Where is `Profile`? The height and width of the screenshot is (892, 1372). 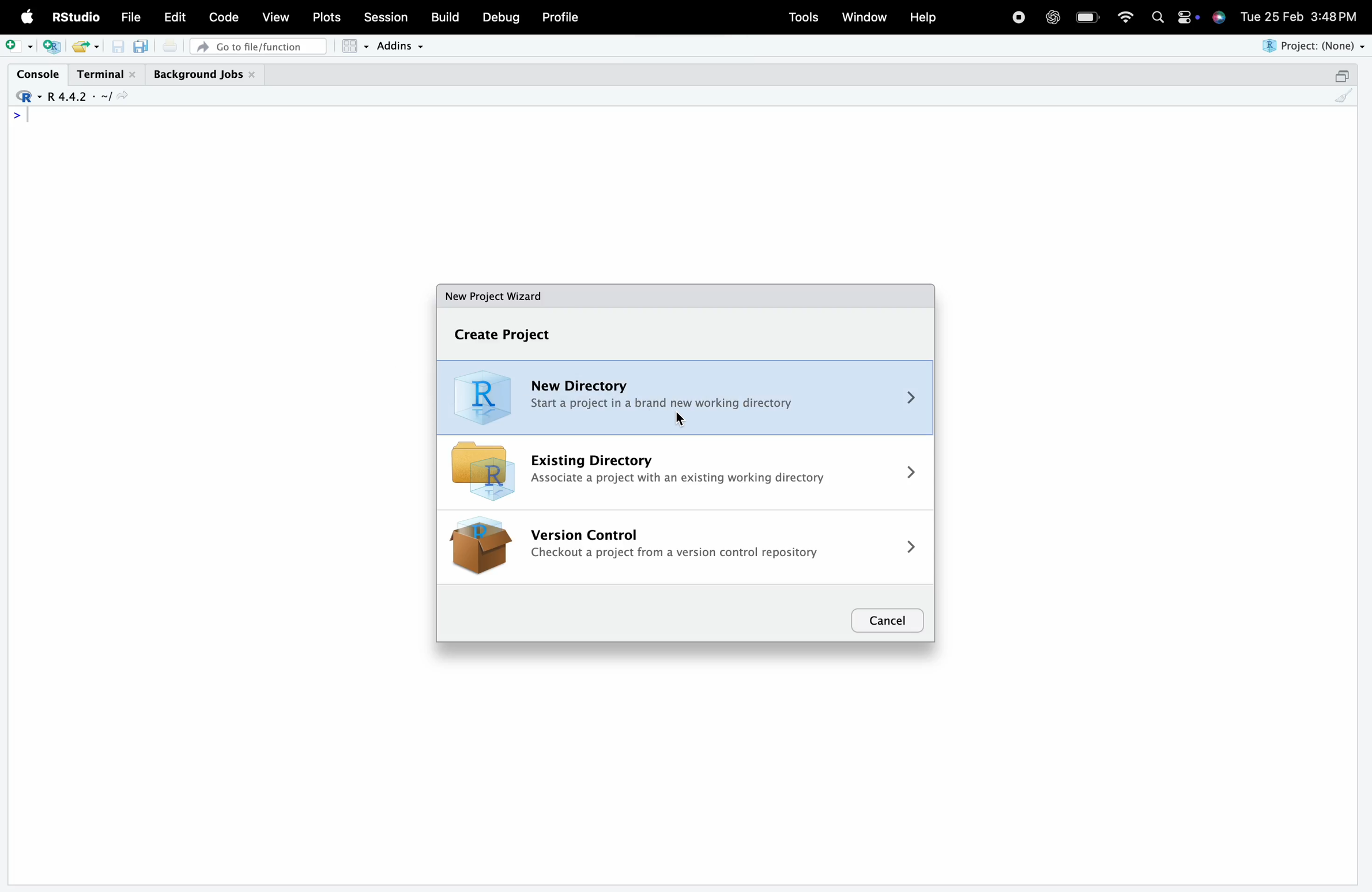 Profile is located at coordinates (561, 17).